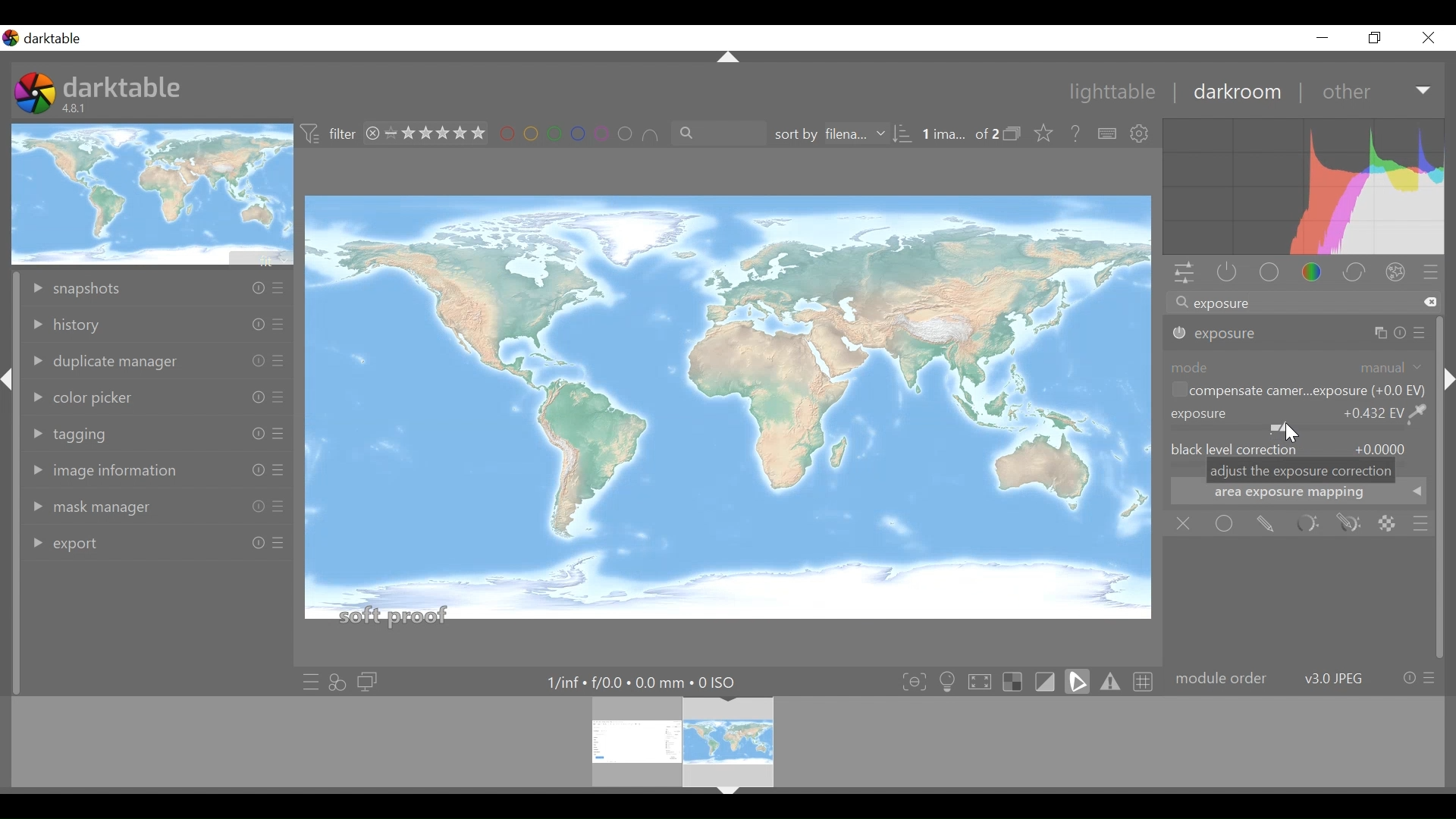 This screenshot has width=1456, height=819. I want to click on main editing area, so click(729, 414).